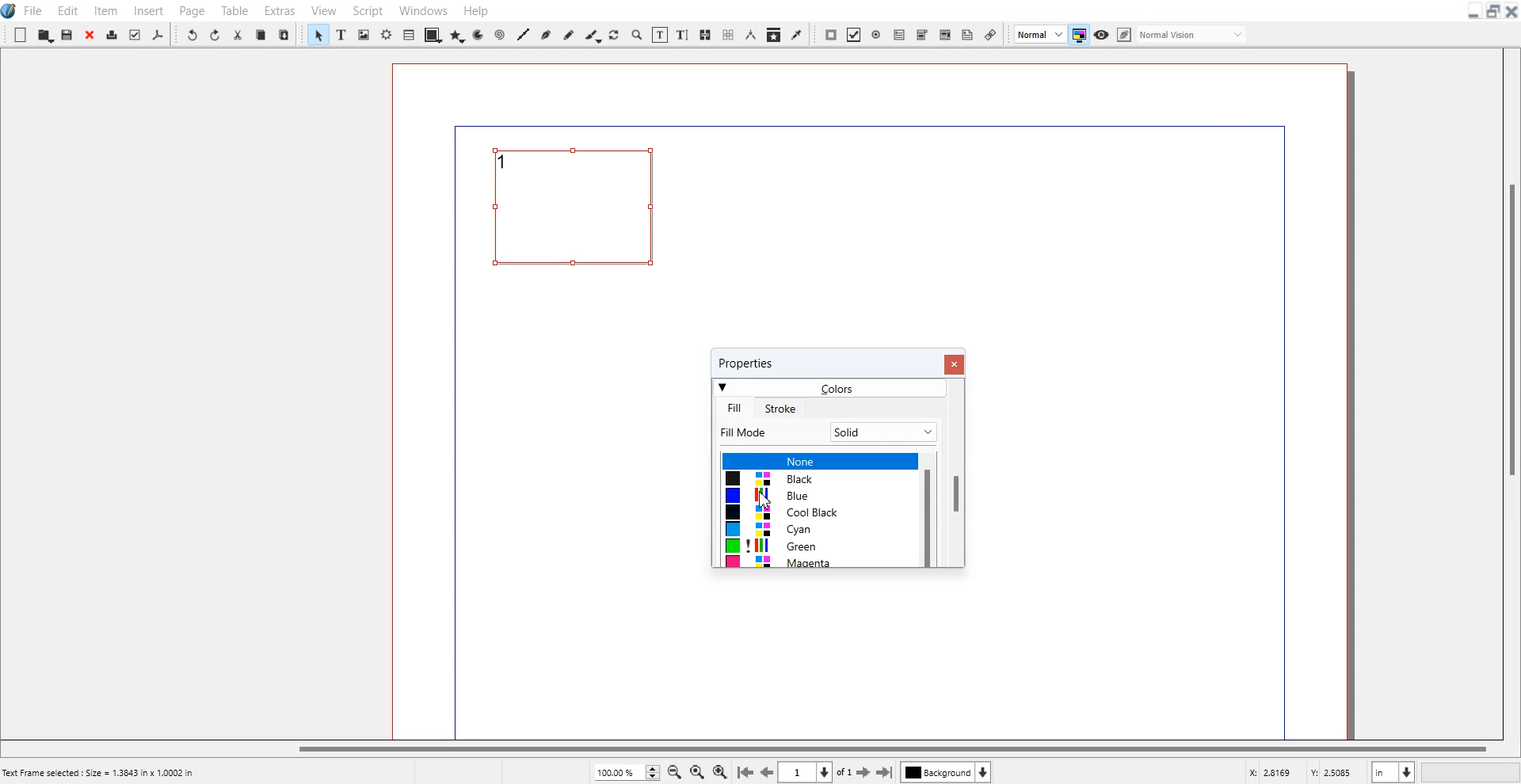  Describe the element at coordinates (1474, 11) in the screenshot. I see `Minimize` at that location.